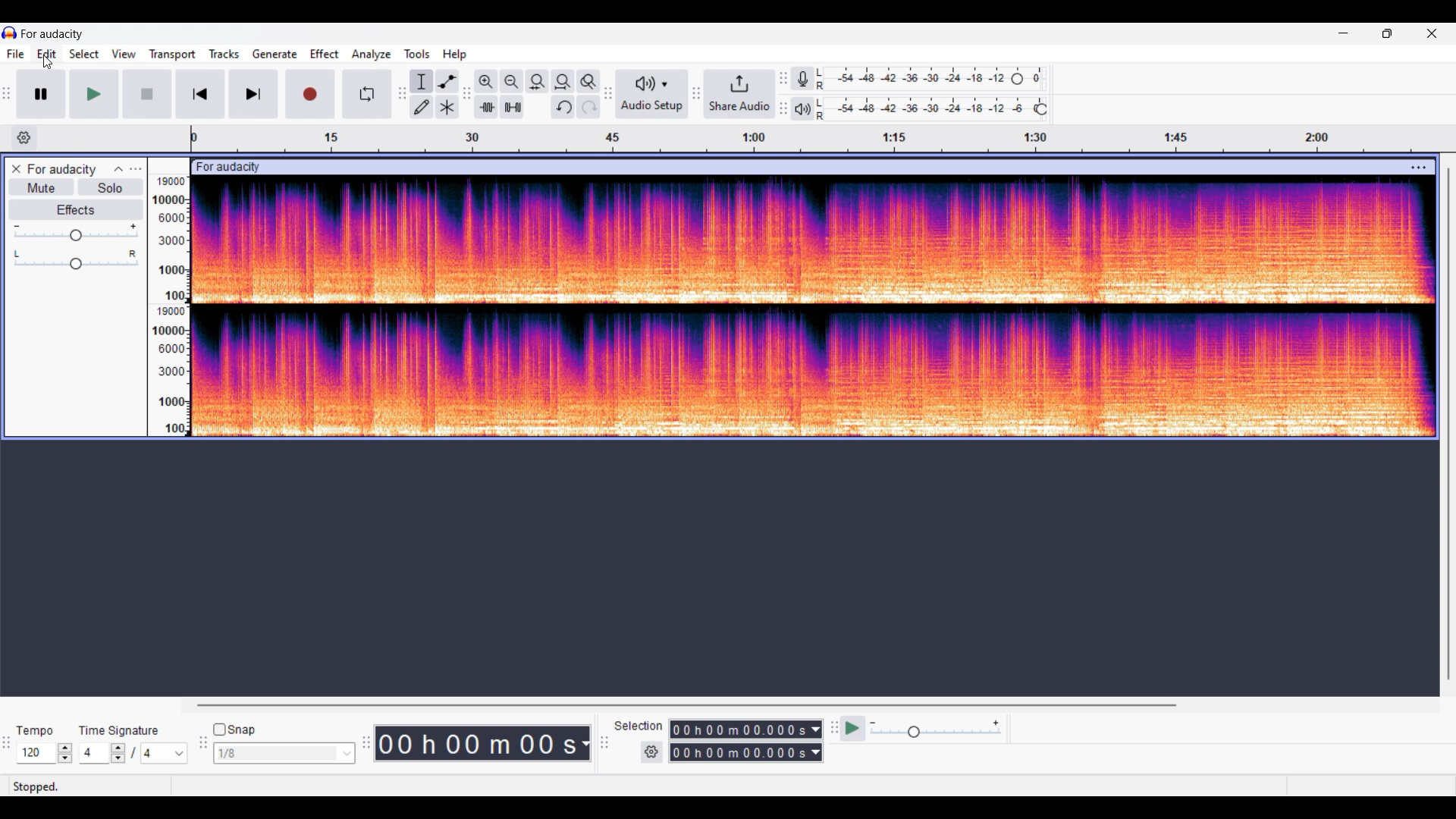 Image resolution: width=1456 pixels, height=819 pixels. Describe the element at coordinates (447, 107) in the screenshot. I see `Multi tool` at that location.